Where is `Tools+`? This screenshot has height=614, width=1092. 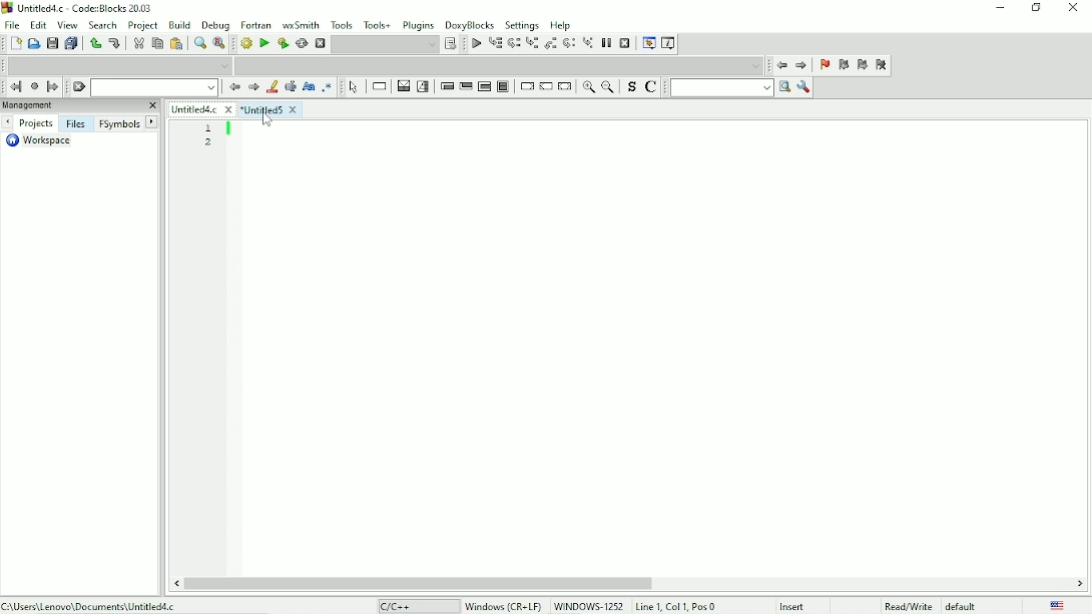 Tools+ is located at coordinates (378, 25).